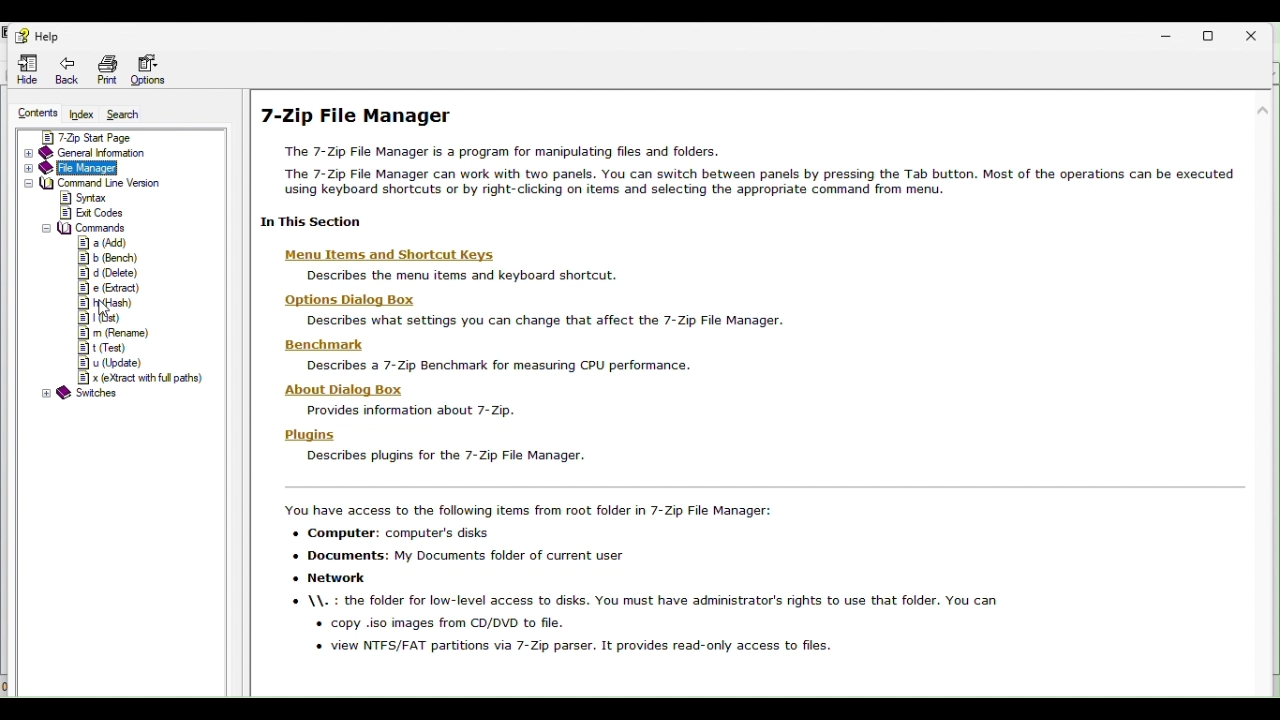 The image size is (1280, 720). What do you see at coordinates (24, 67) in the screenshot?
I see `Hide` at bounding box center [24, 67].